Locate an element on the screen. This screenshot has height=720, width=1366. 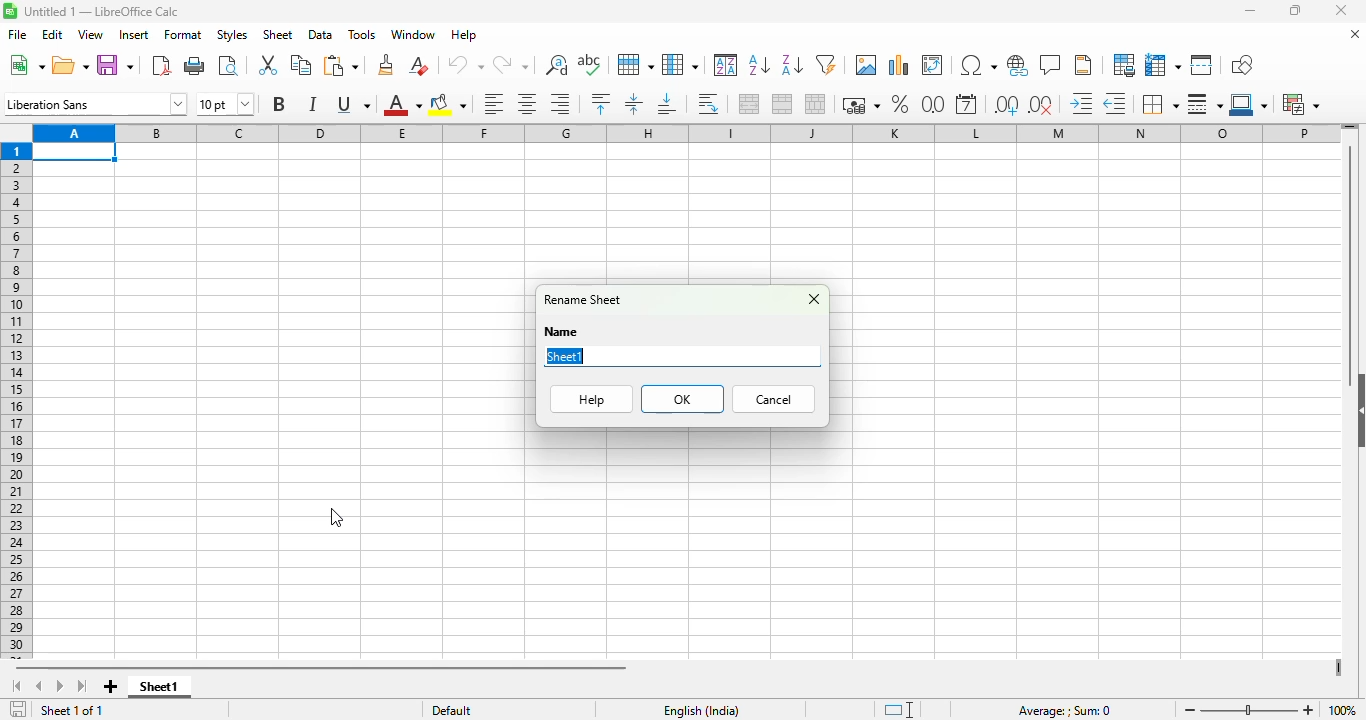
maximize is located at coordinates (1294, 10).